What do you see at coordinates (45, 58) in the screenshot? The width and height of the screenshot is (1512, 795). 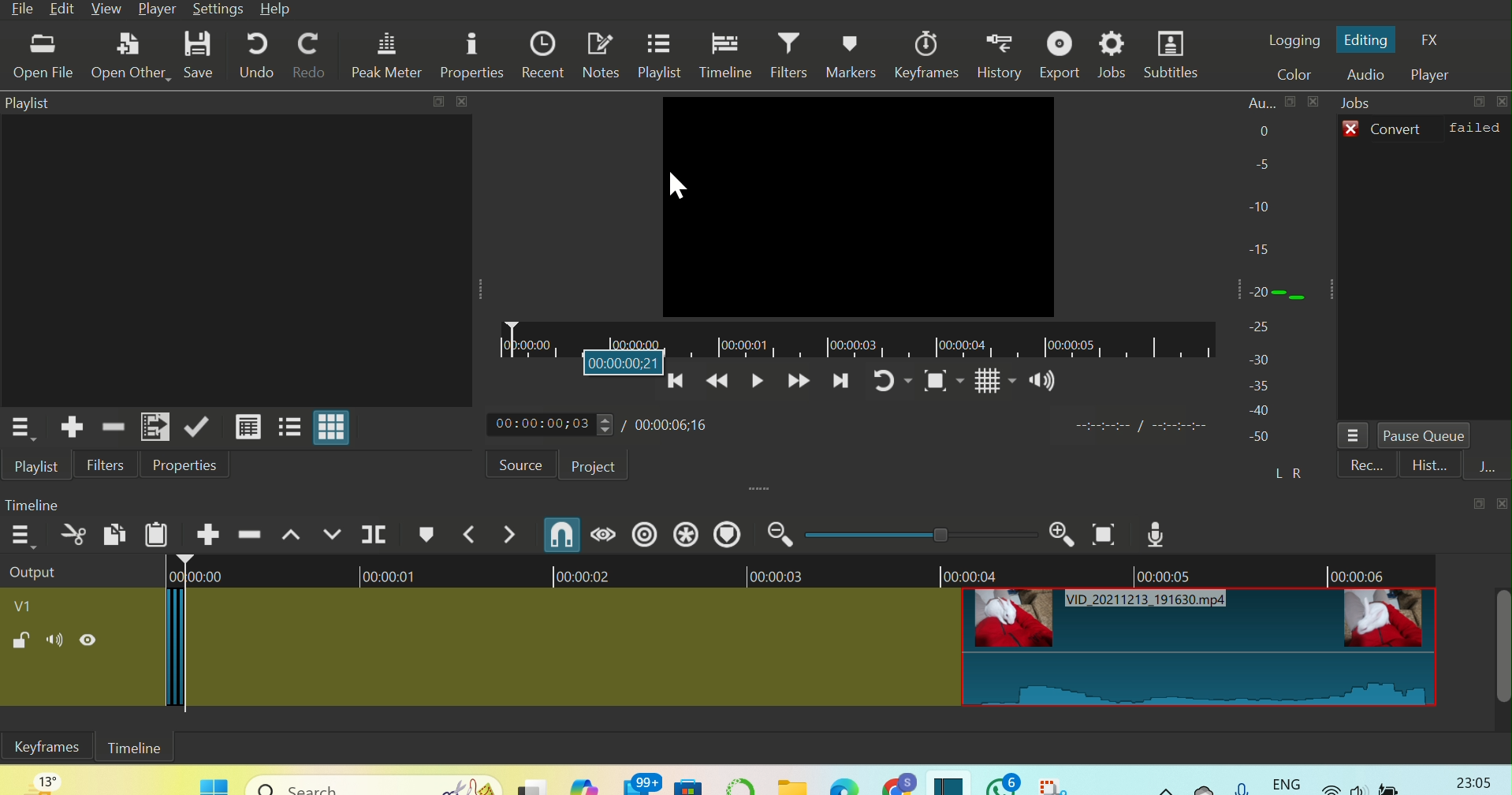 I see `Open File` at bounding box center [45, 58].